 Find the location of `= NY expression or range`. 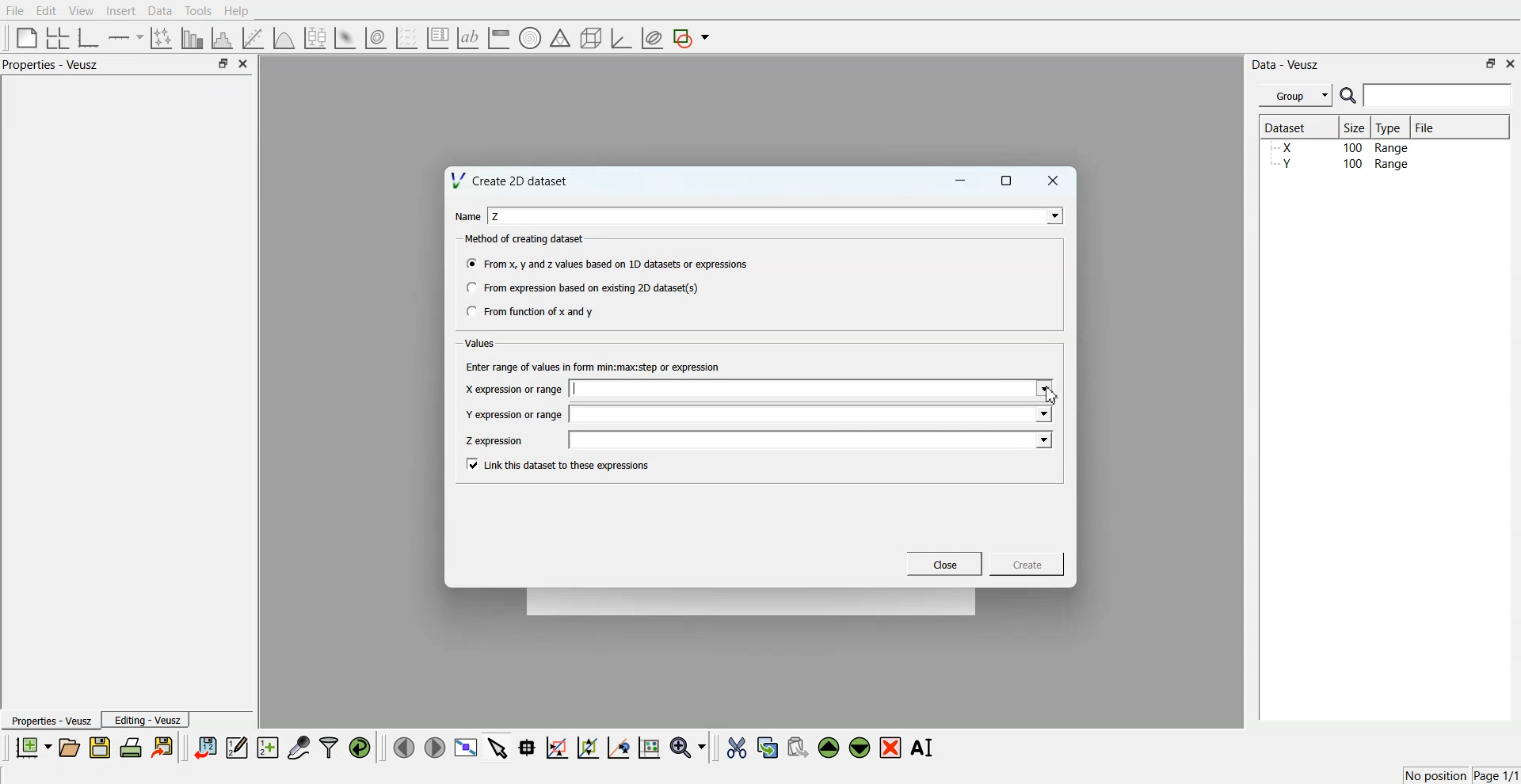

= NY expression or range is located at coordinates (514, 414).